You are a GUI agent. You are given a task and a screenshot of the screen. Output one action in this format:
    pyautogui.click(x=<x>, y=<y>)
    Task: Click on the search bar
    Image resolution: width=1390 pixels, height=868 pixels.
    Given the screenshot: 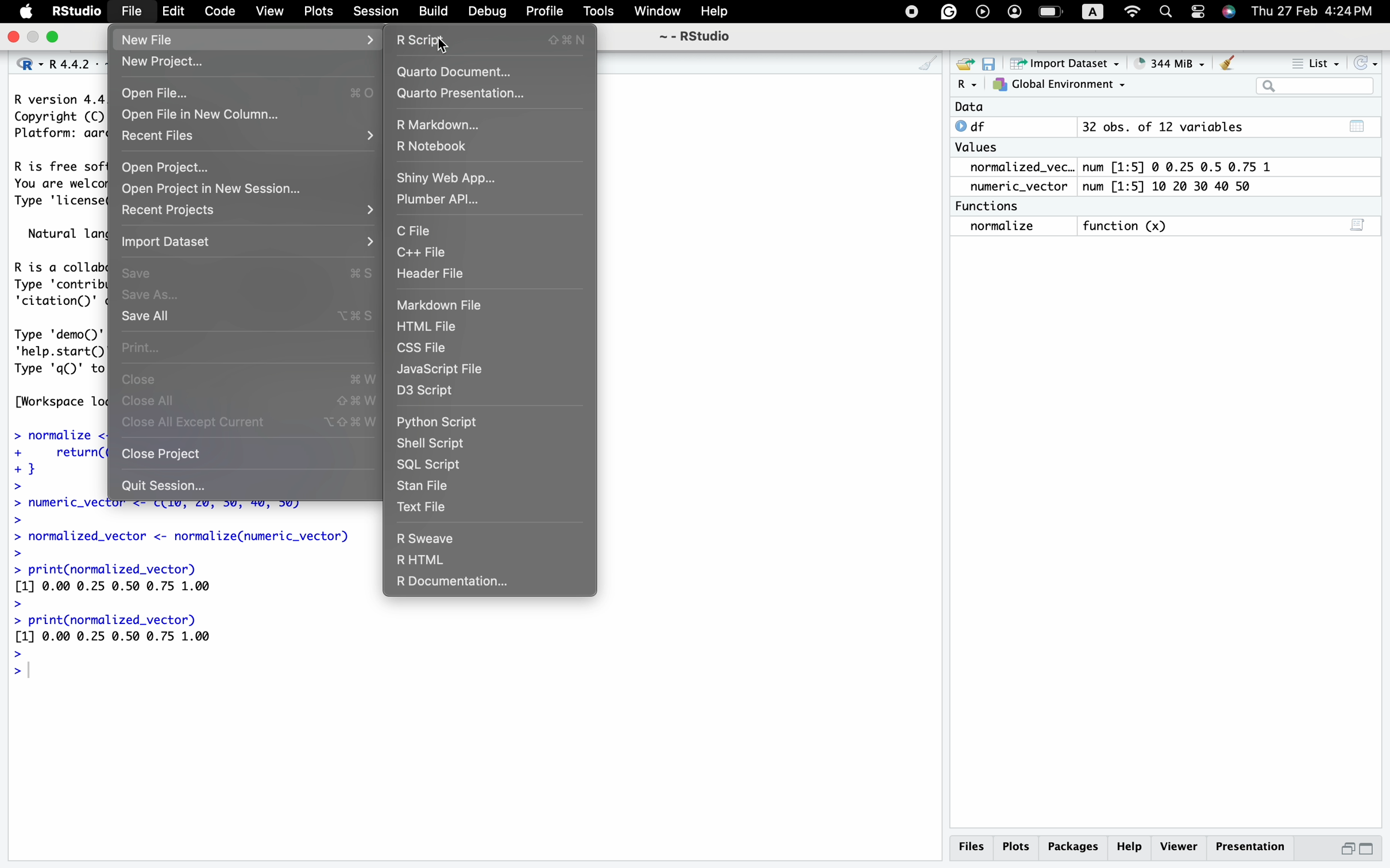 What is the action you would take?
    pyautogui.click(x=1313, y=86)
    